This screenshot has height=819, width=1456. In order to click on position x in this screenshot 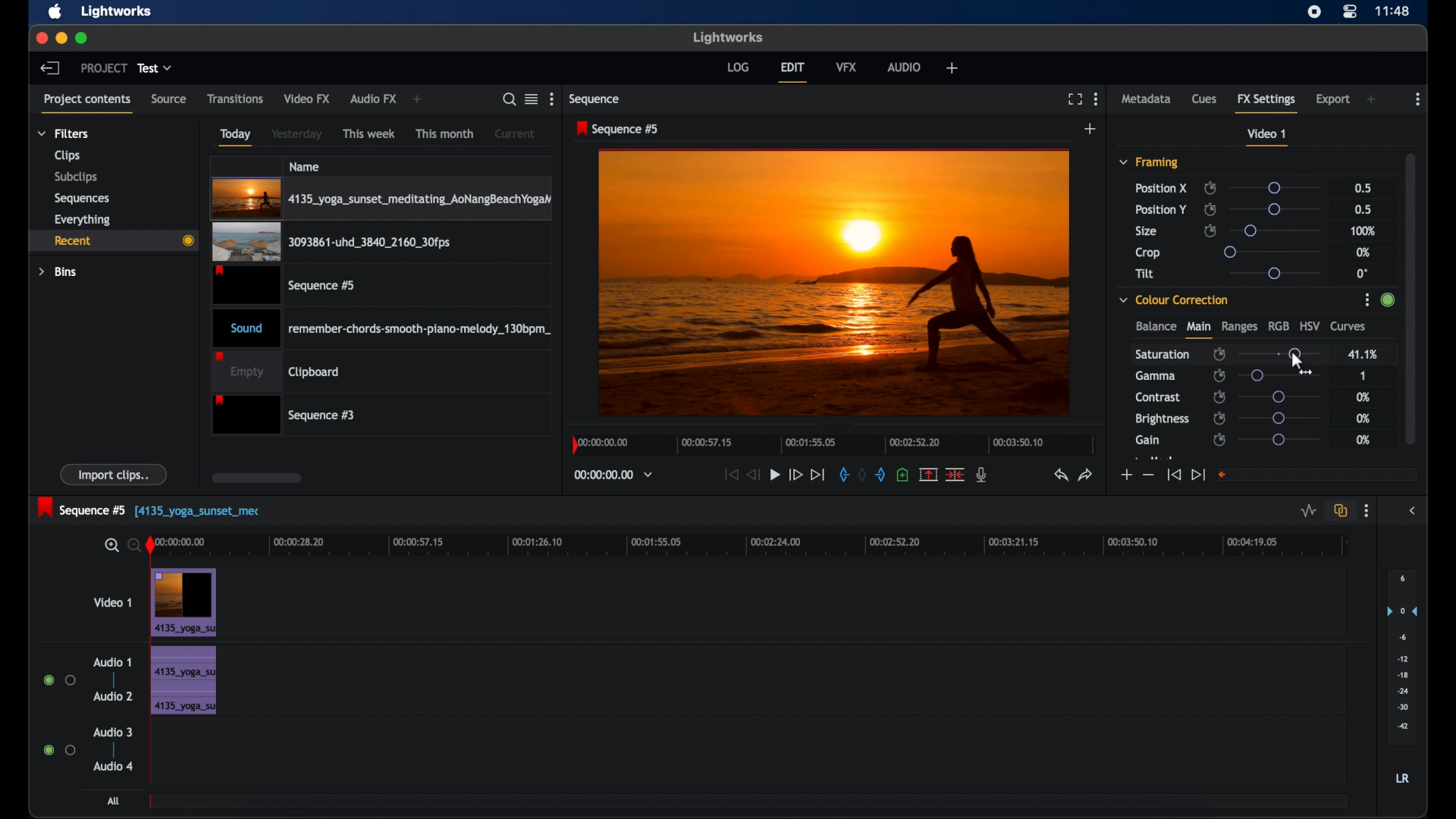, I will do `click(1161, 187)`.